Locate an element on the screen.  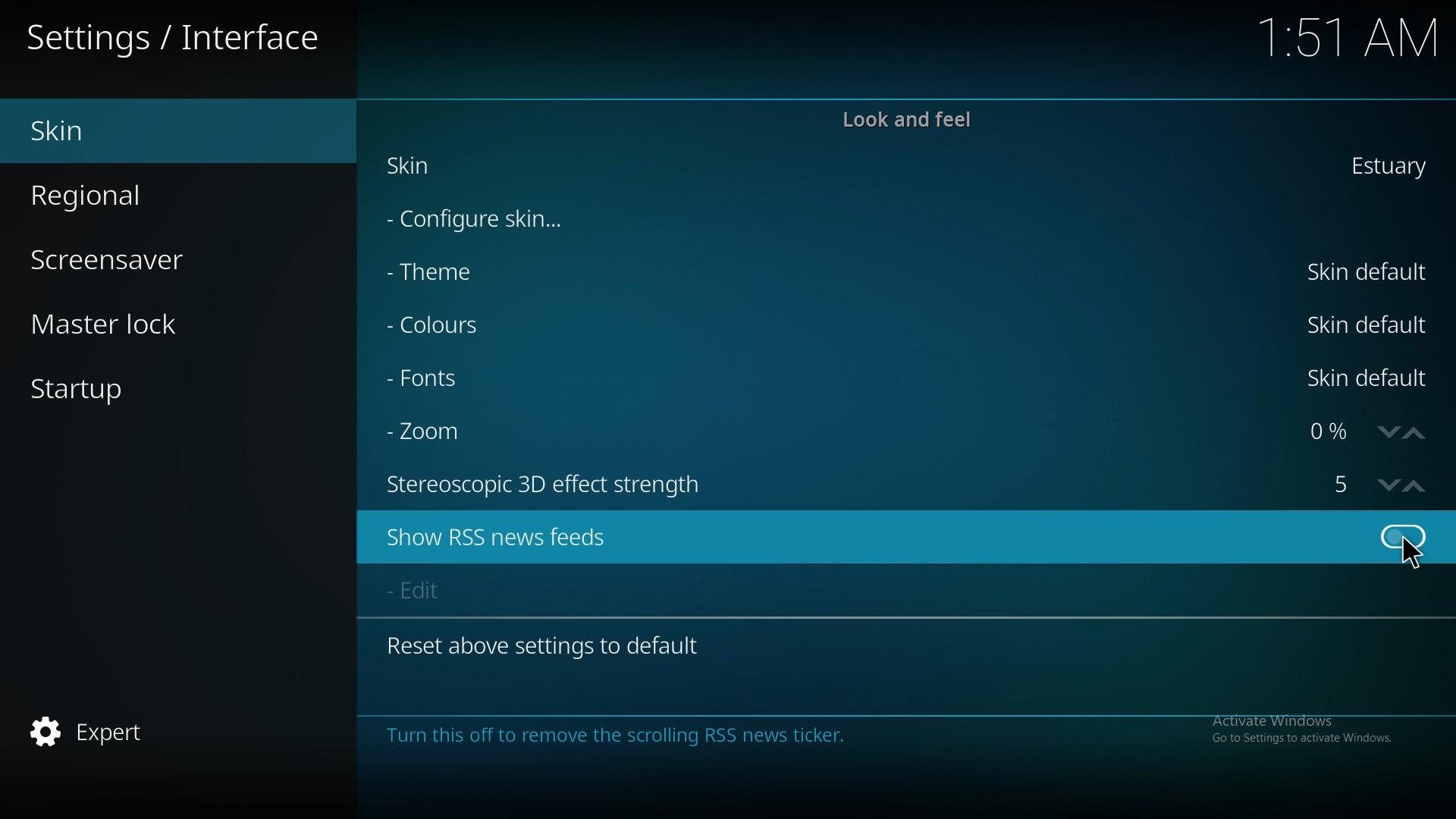
show rss new feeds is located at coordinates (523, 536).